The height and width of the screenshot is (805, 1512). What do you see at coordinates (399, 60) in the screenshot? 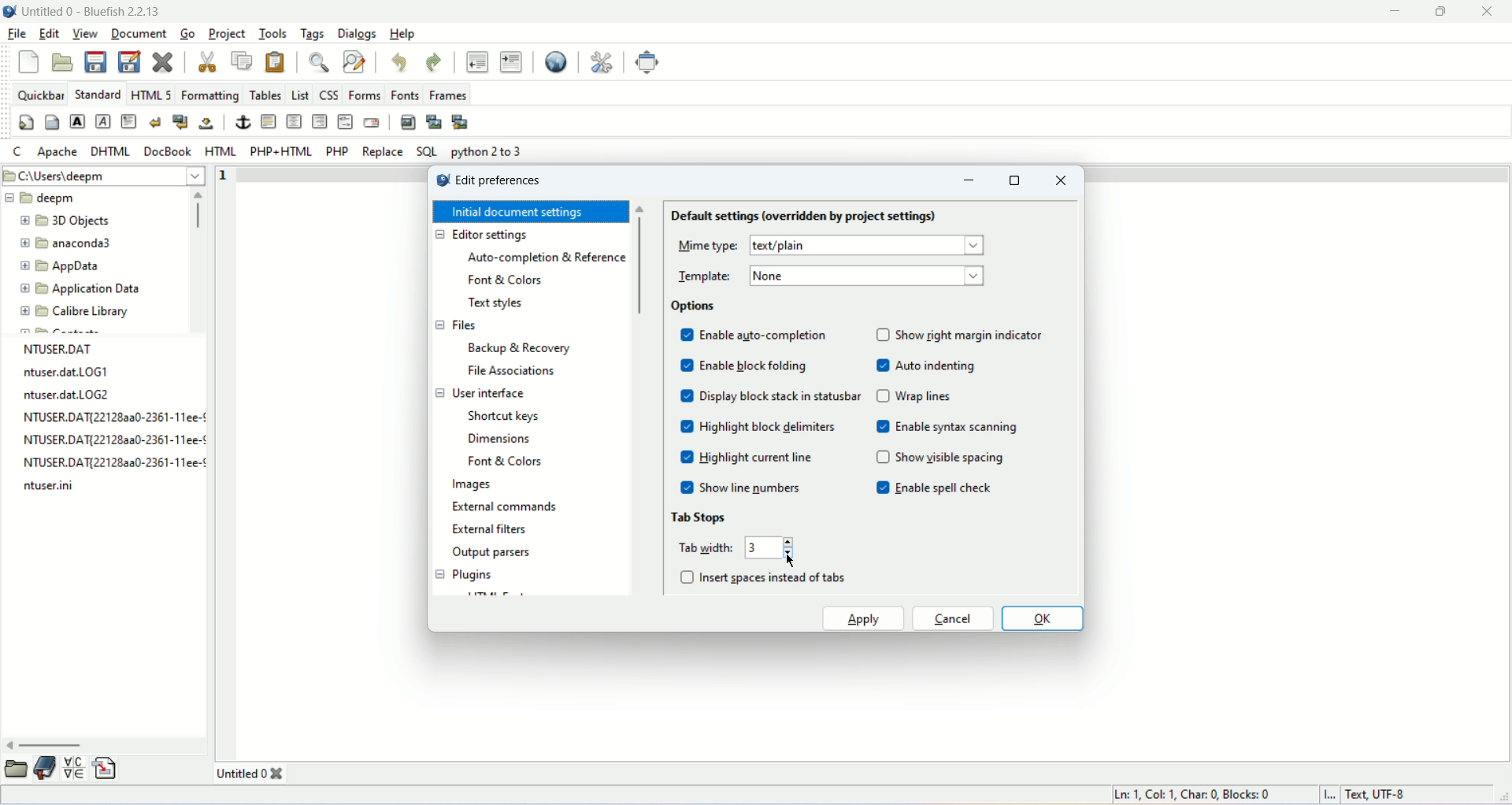
I see `undo` at bounding box center [399, 60].